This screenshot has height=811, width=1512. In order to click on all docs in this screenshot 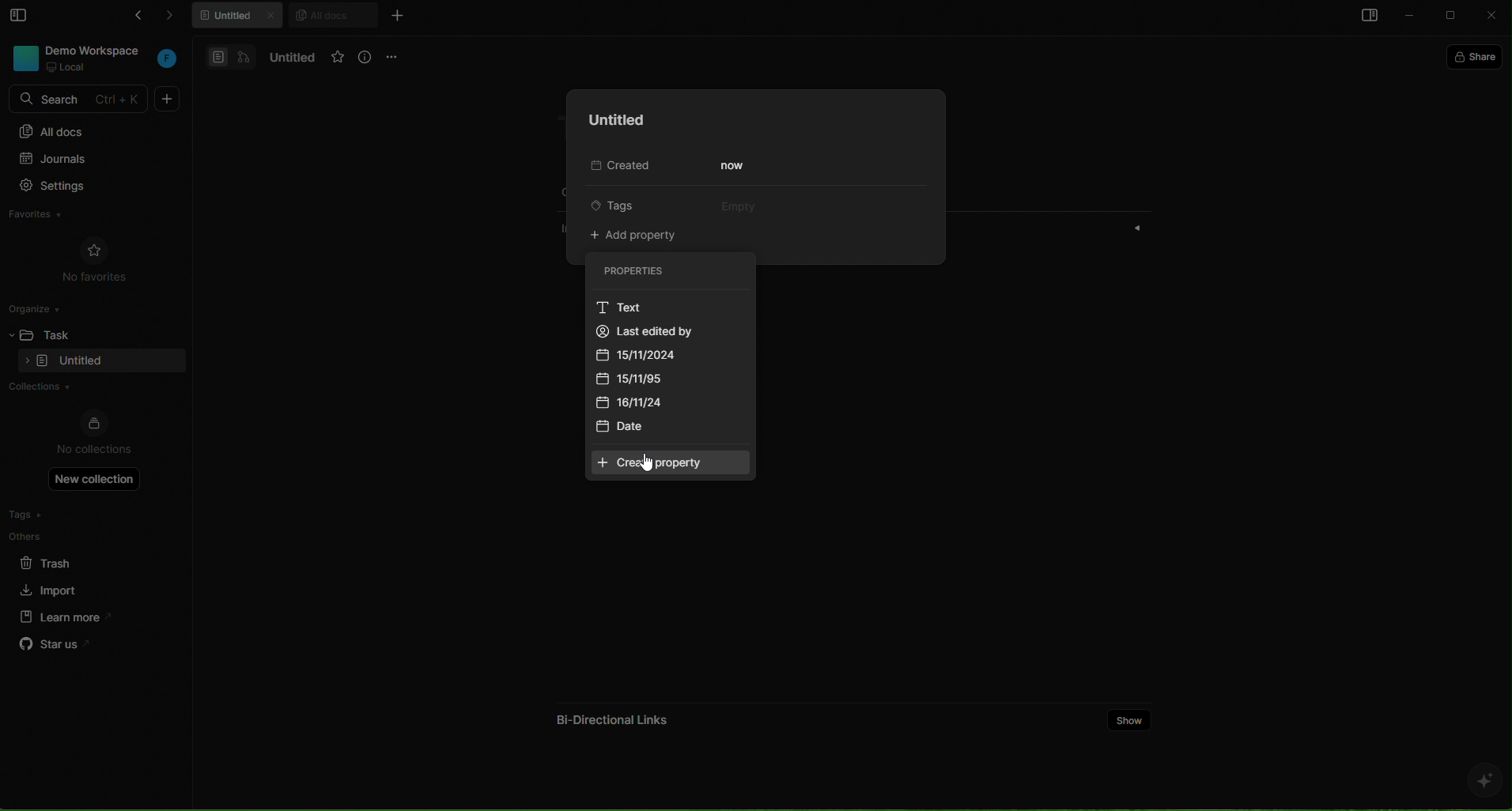, I will do `click(93, 130)`.